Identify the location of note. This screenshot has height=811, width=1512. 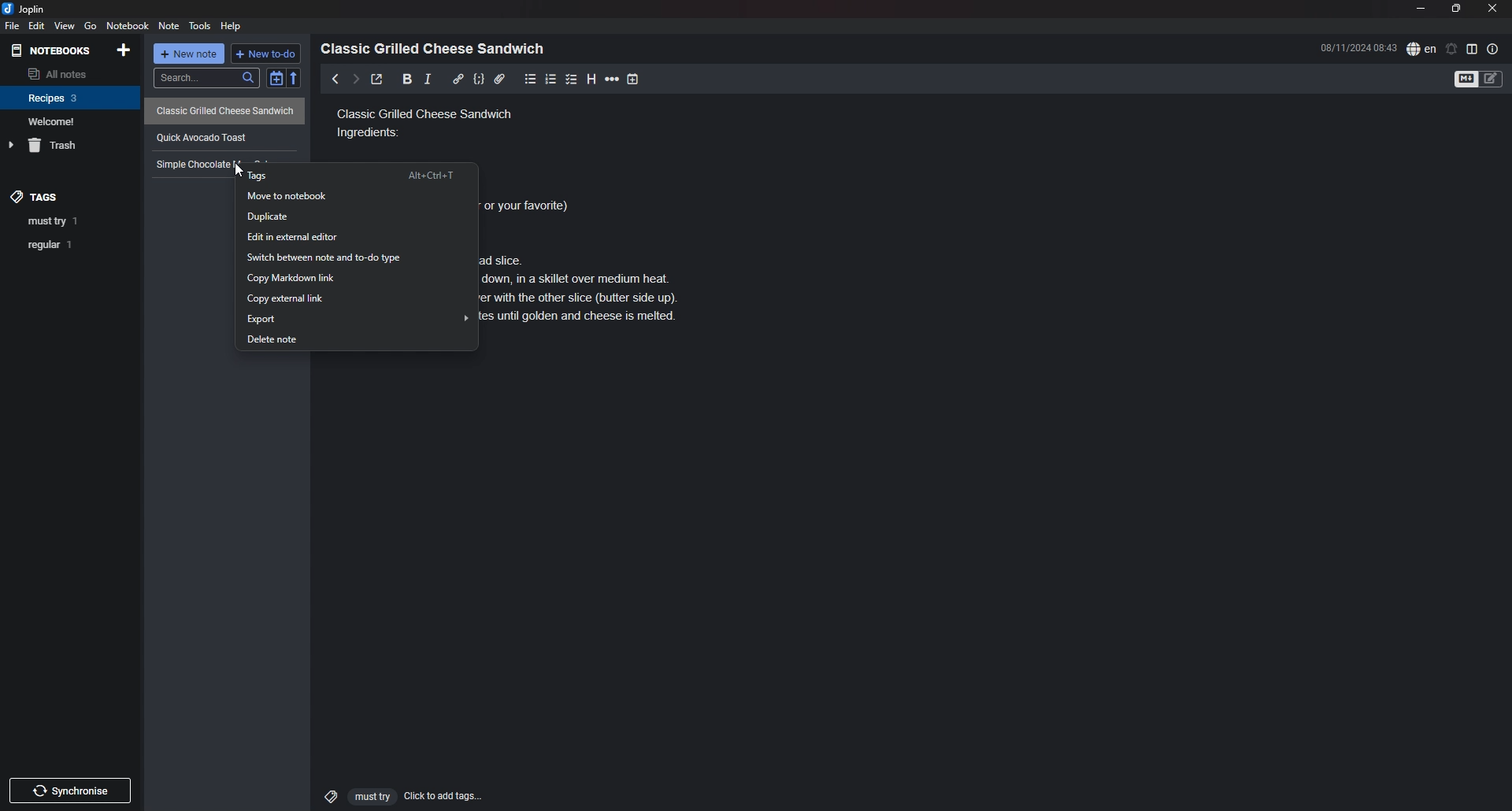
(169, 27).